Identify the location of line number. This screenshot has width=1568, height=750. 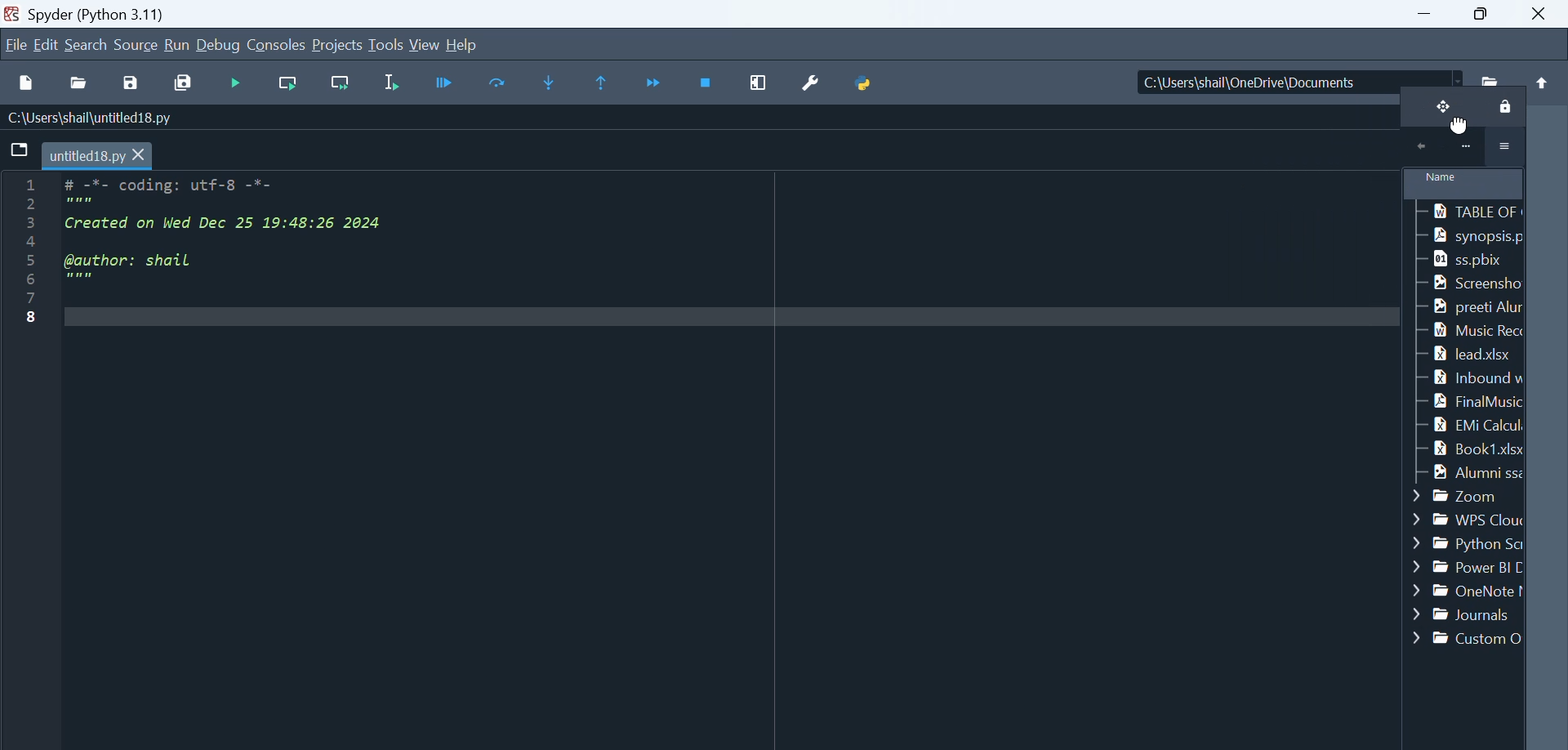
(20, 350).